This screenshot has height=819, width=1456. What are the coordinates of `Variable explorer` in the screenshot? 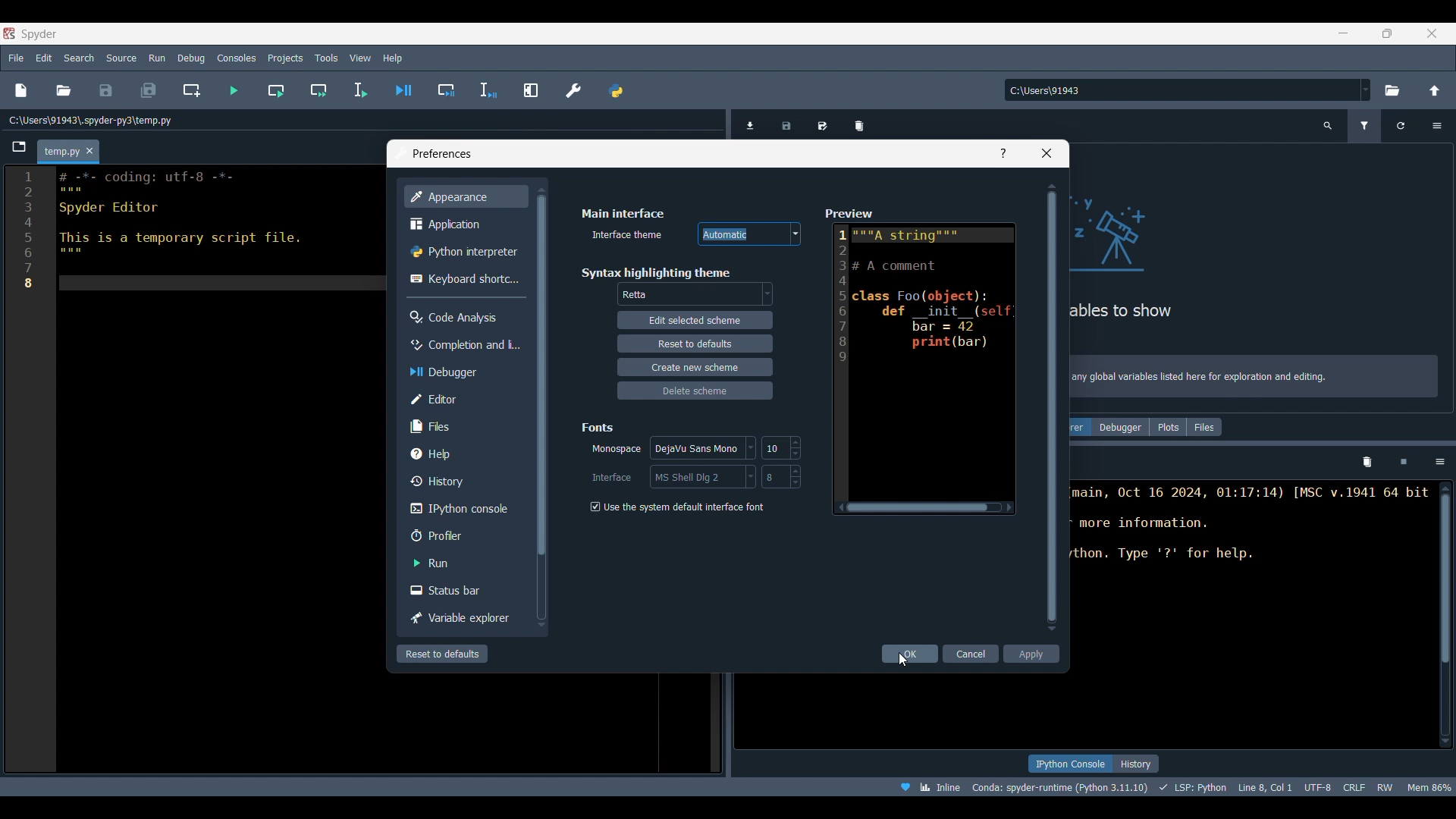 It's located at (463, 619).